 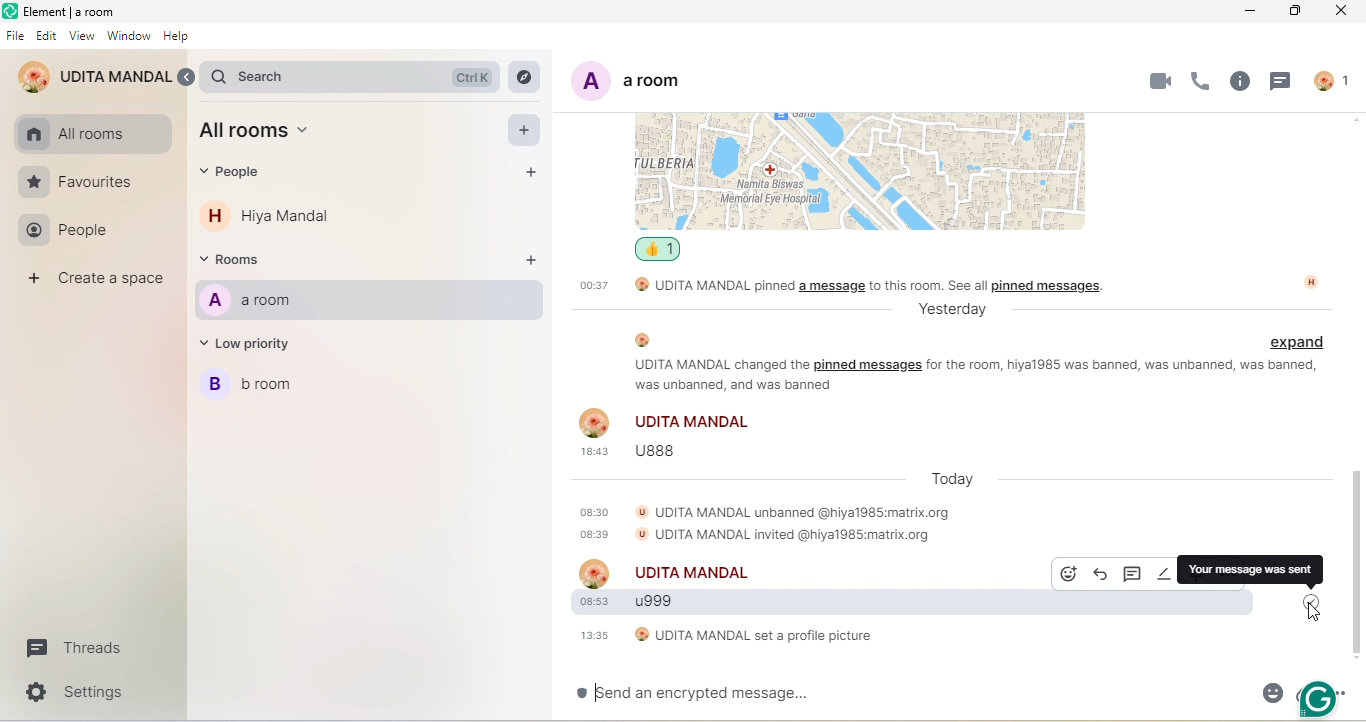 I want to click on to this room see all, so click(x=929, y=284).